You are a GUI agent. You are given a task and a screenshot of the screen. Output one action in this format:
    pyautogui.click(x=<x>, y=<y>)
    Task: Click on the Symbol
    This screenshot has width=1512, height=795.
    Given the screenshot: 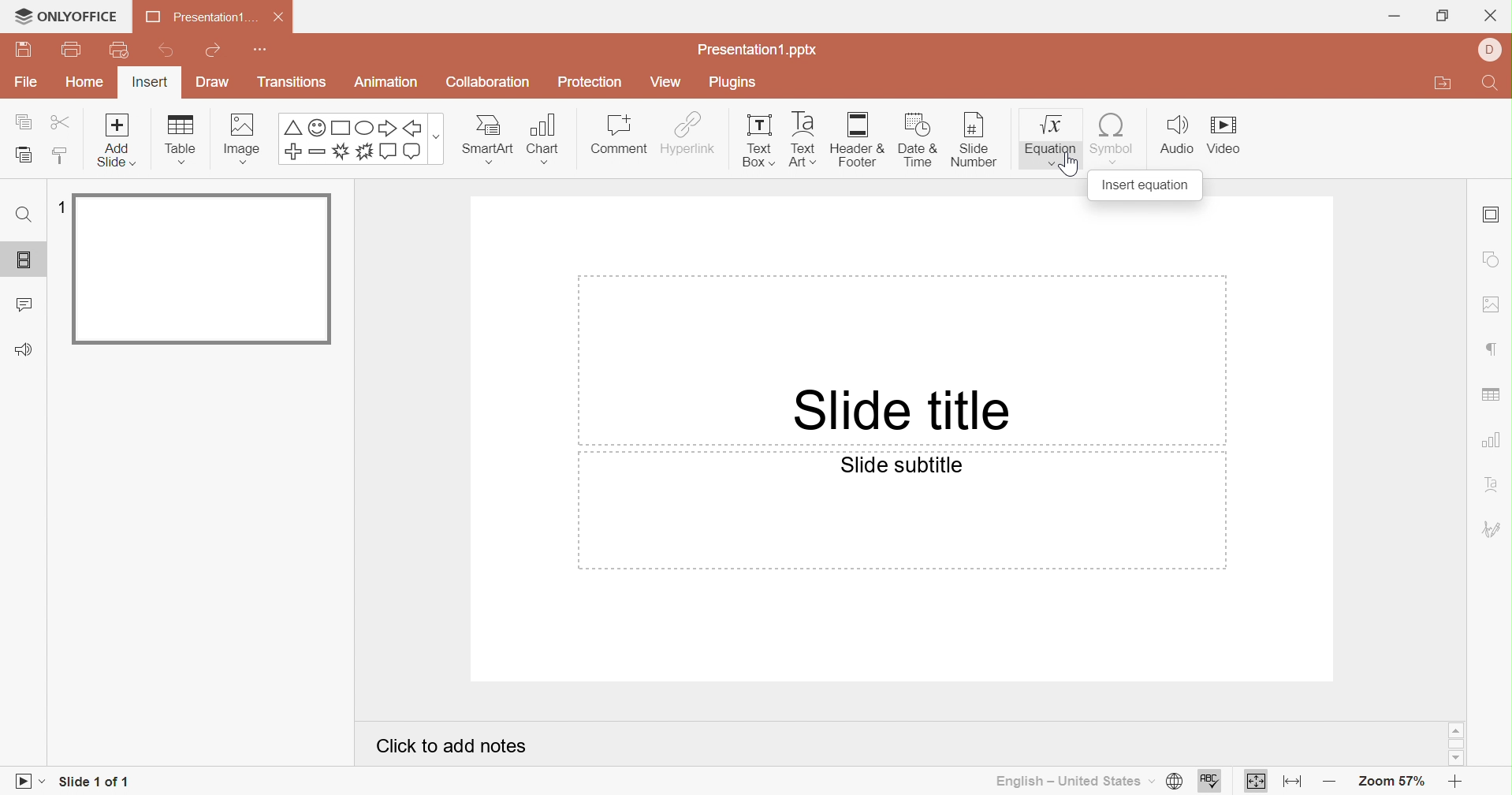 What is the action you would take?
    pyautogui.click(x=1114, y=131)
    